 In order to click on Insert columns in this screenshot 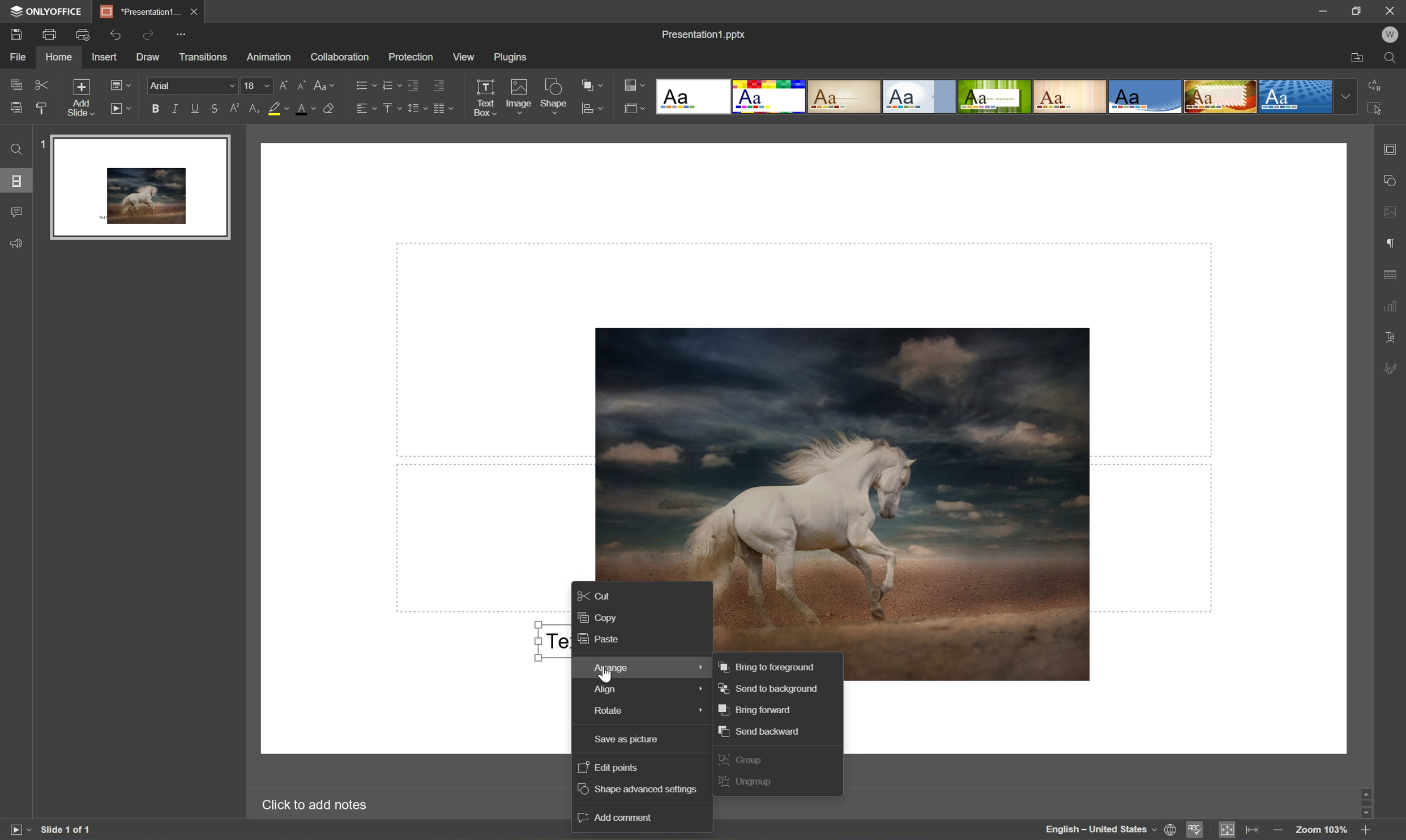, I will do `click(443, 107)`.